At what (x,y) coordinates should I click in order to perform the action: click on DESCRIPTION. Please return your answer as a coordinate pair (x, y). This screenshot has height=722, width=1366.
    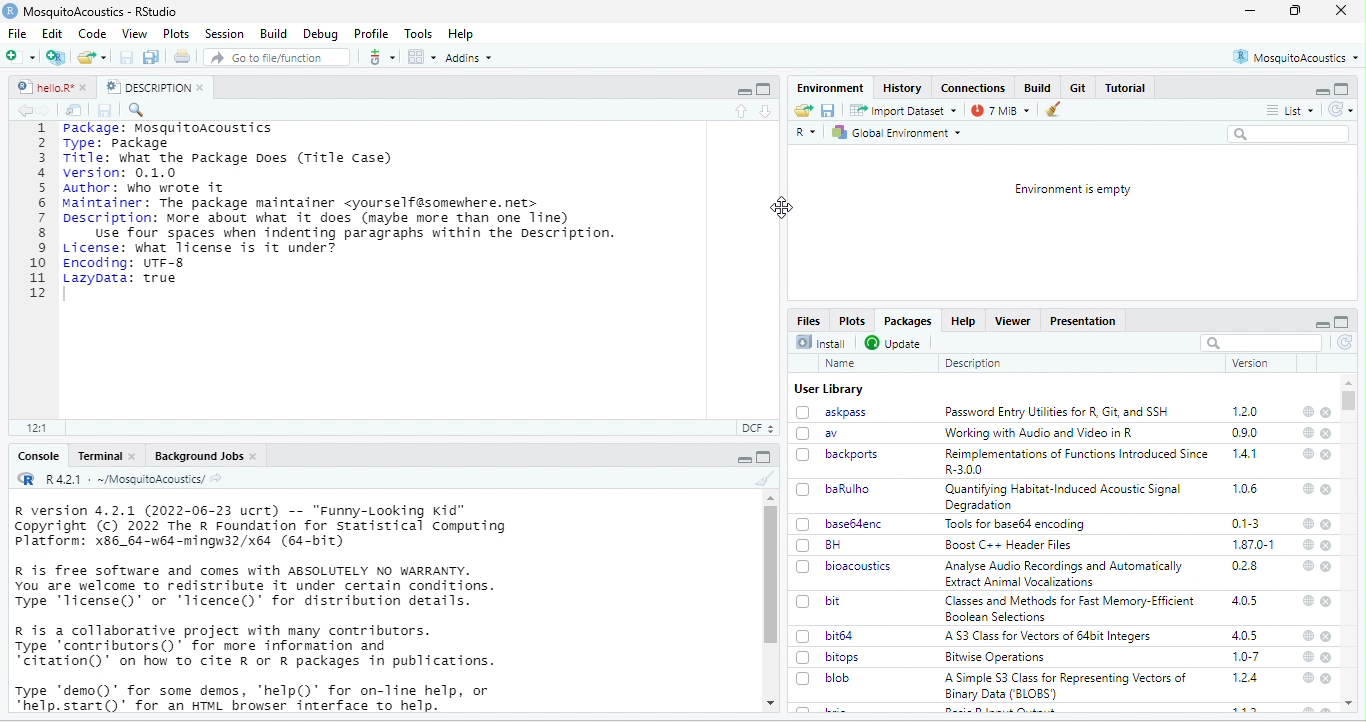
    Looking at the image, I should click on (154, 87).